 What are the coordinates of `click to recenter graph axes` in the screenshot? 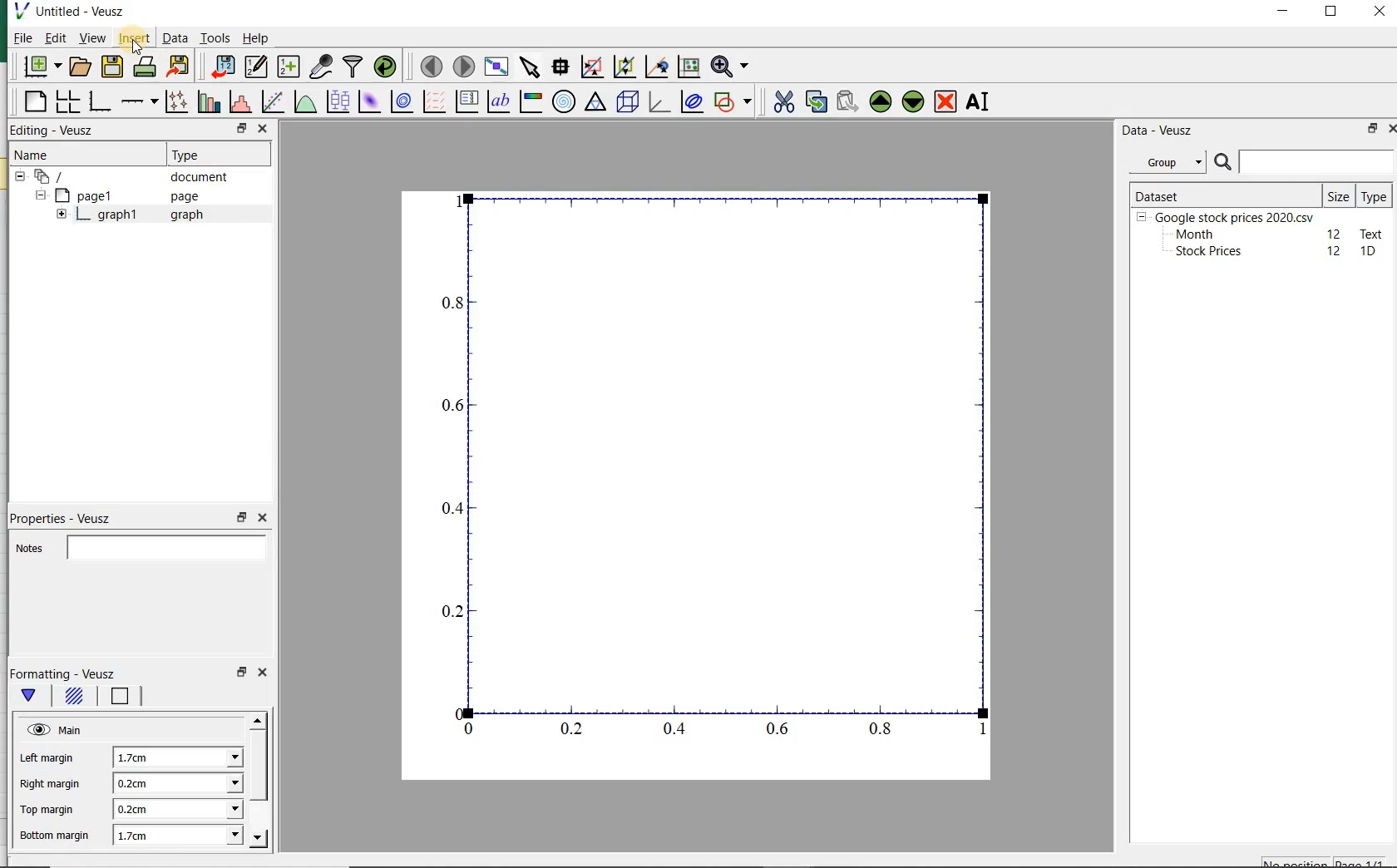 It's located at (654, 67).